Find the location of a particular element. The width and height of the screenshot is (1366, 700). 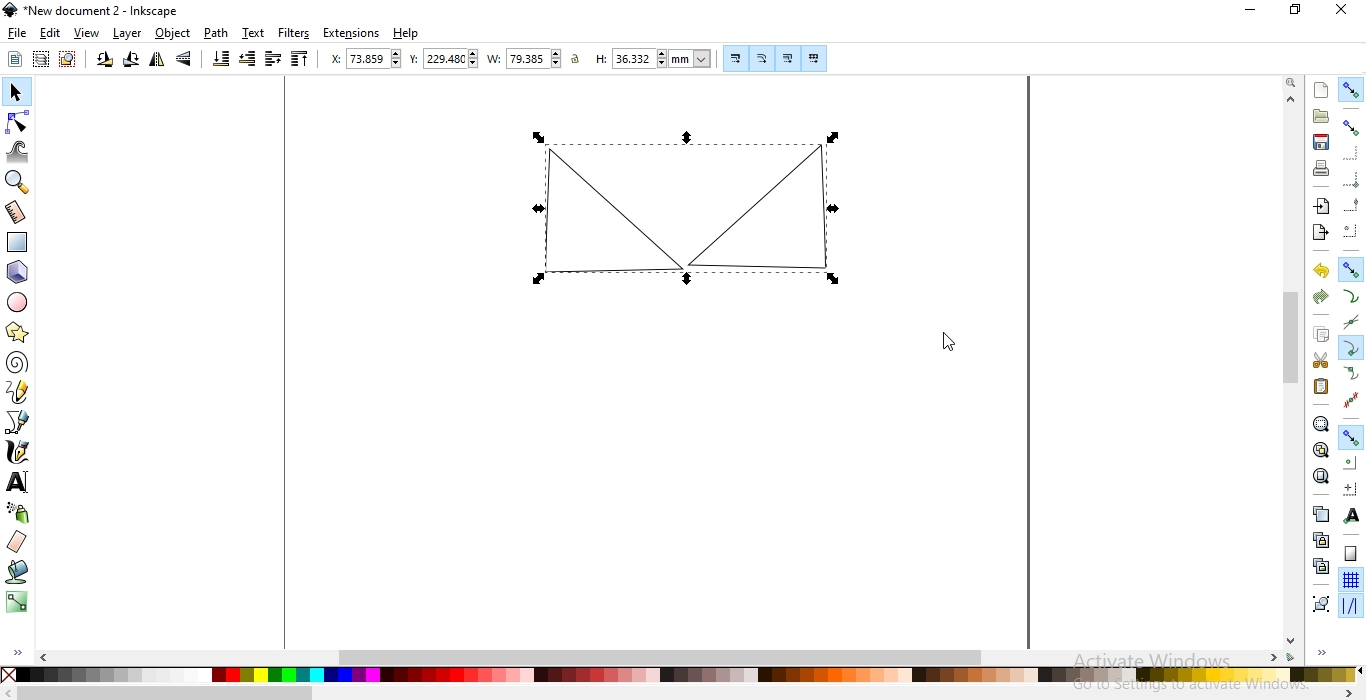

create rectangle and squares is located at coordinates (21, 241).